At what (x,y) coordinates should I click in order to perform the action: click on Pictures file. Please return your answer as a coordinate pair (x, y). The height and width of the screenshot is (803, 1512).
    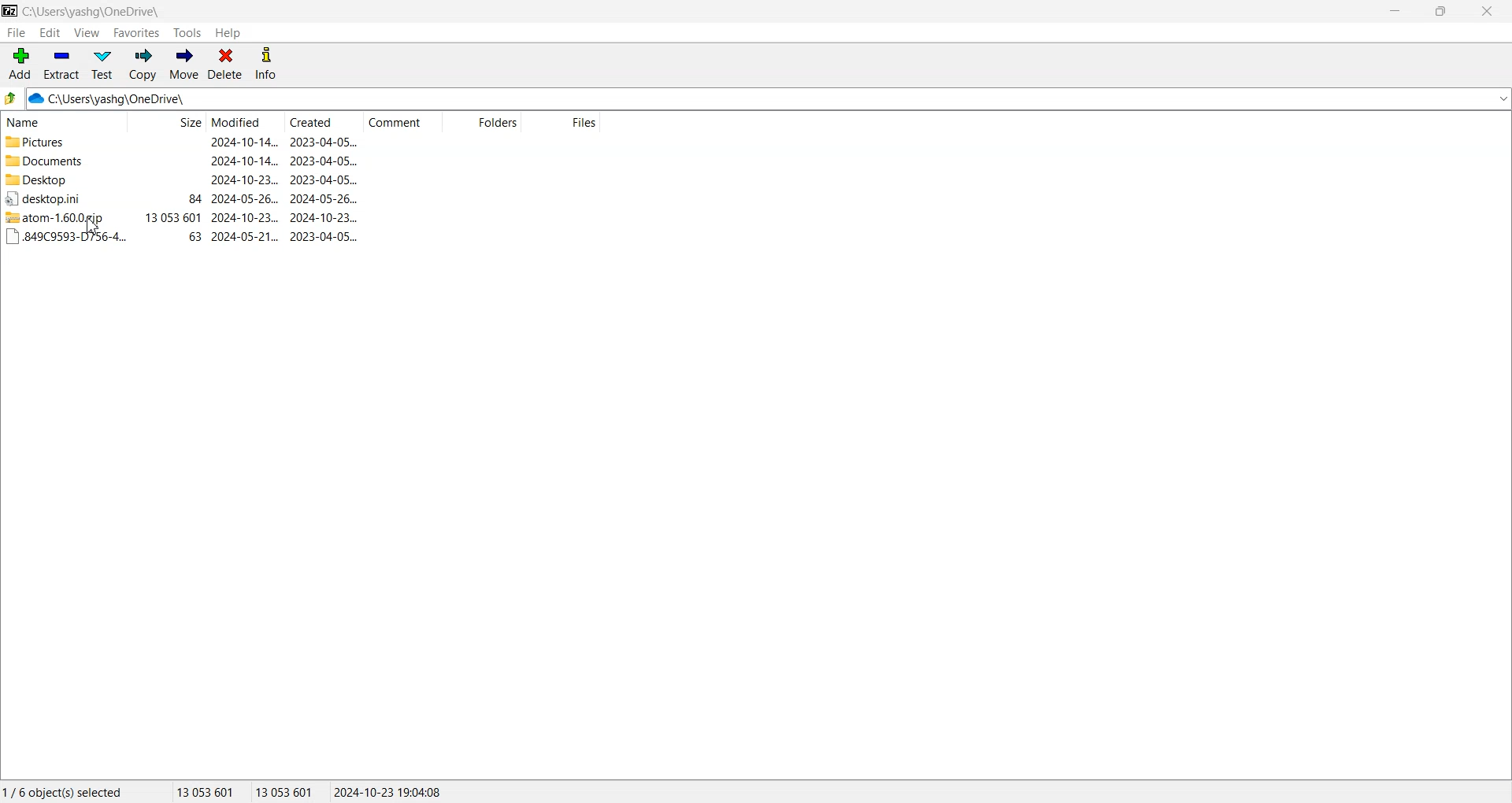
    Looking at the image, I should click on (61, 142).